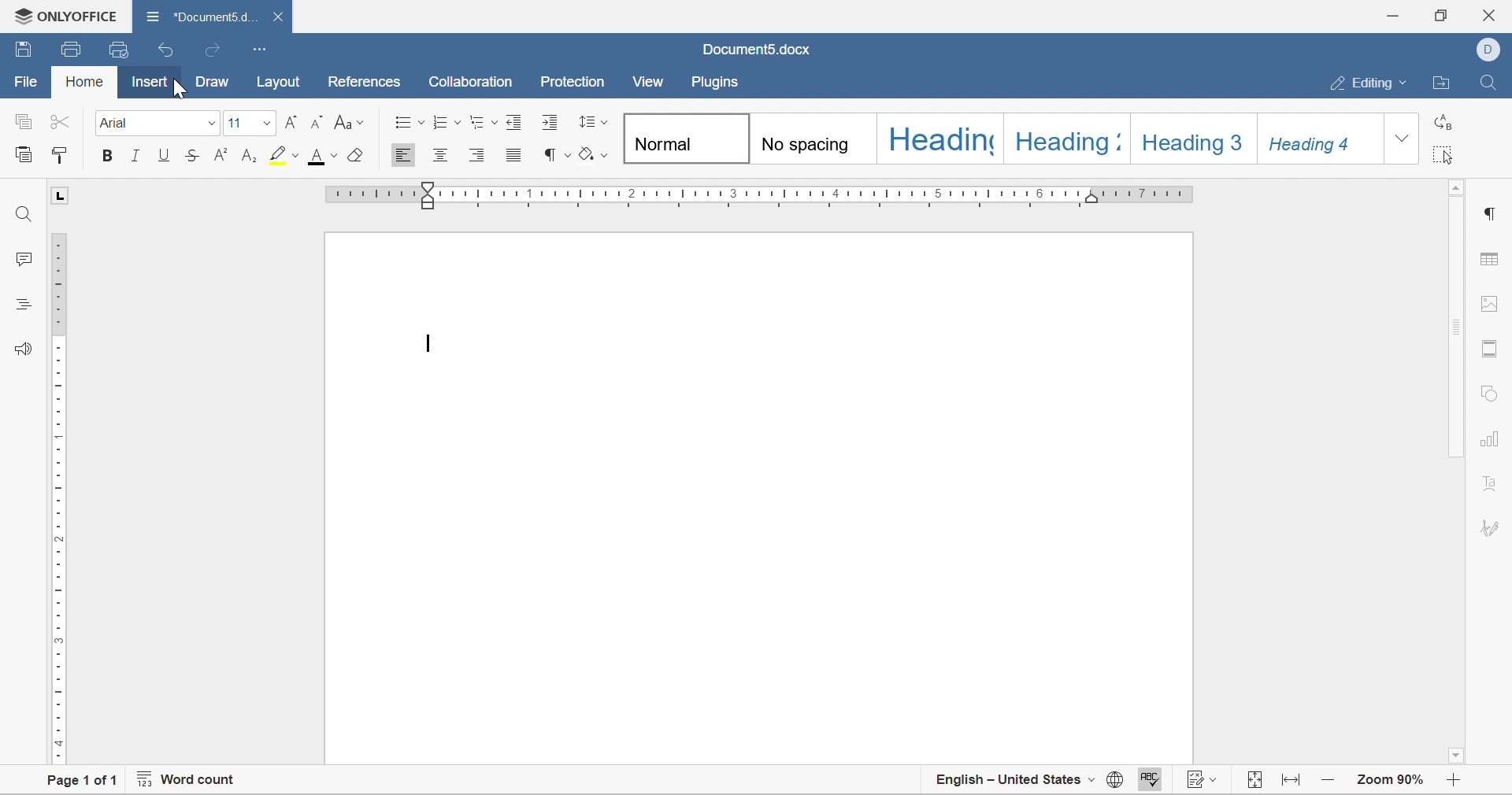 This screenshot has height=795, width=1512. I want to click on save, so click(24, 50).